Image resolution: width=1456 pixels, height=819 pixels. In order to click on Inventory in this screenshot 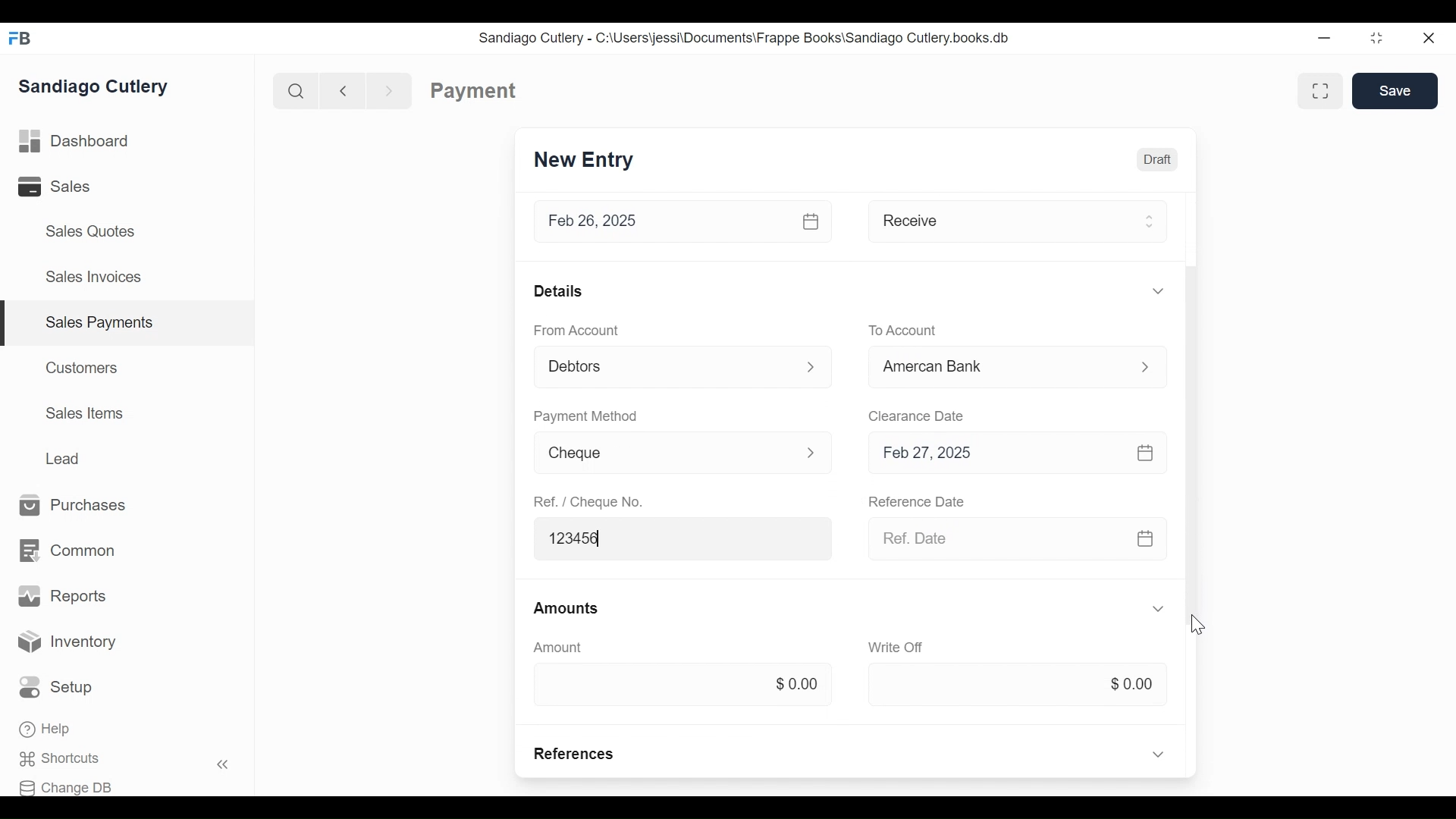, I will do `click(68, 642)`.